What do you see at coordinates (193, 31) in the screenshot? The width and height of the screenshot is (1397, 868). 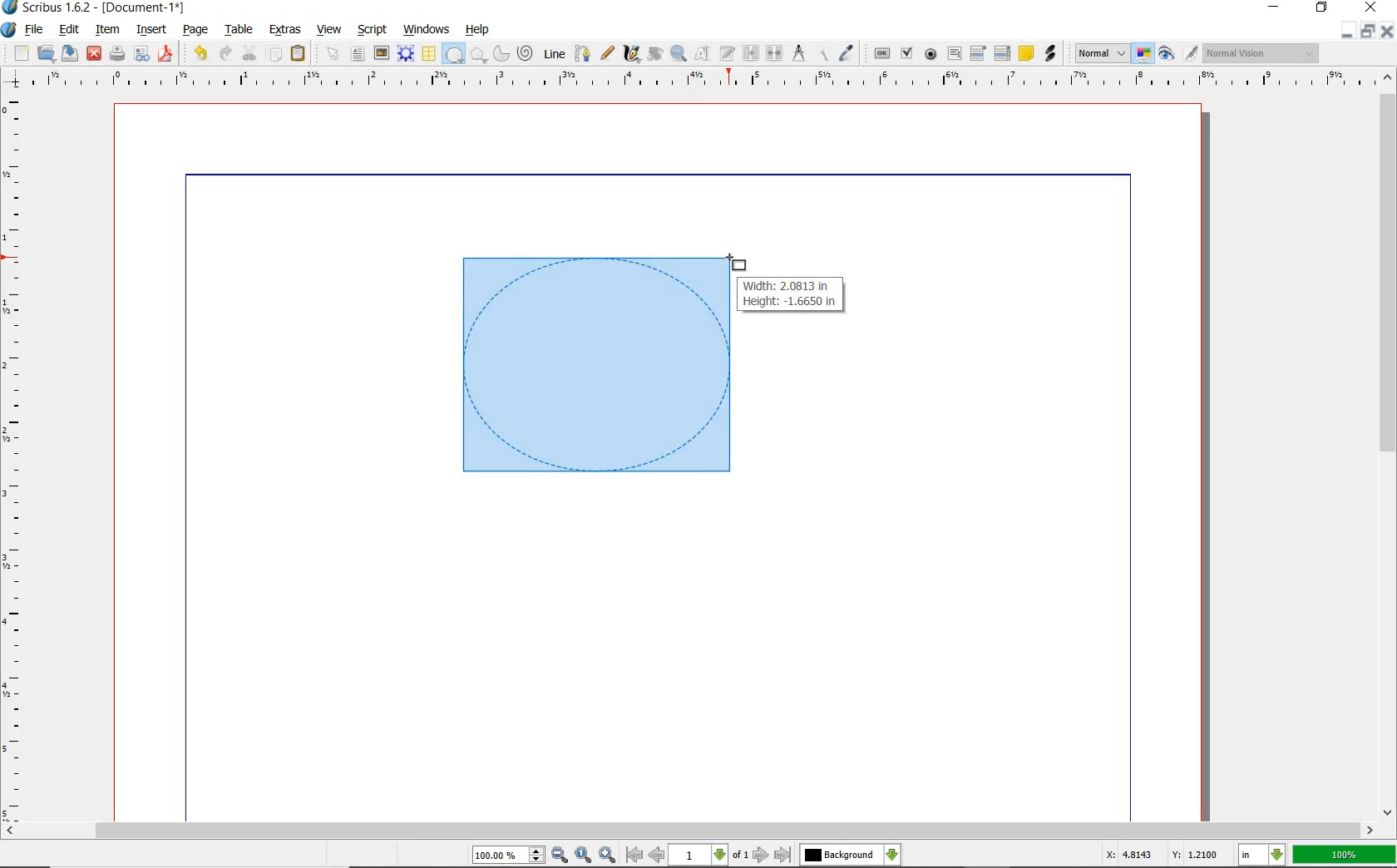 I see `PAGE` at bounding box center [193, 31].